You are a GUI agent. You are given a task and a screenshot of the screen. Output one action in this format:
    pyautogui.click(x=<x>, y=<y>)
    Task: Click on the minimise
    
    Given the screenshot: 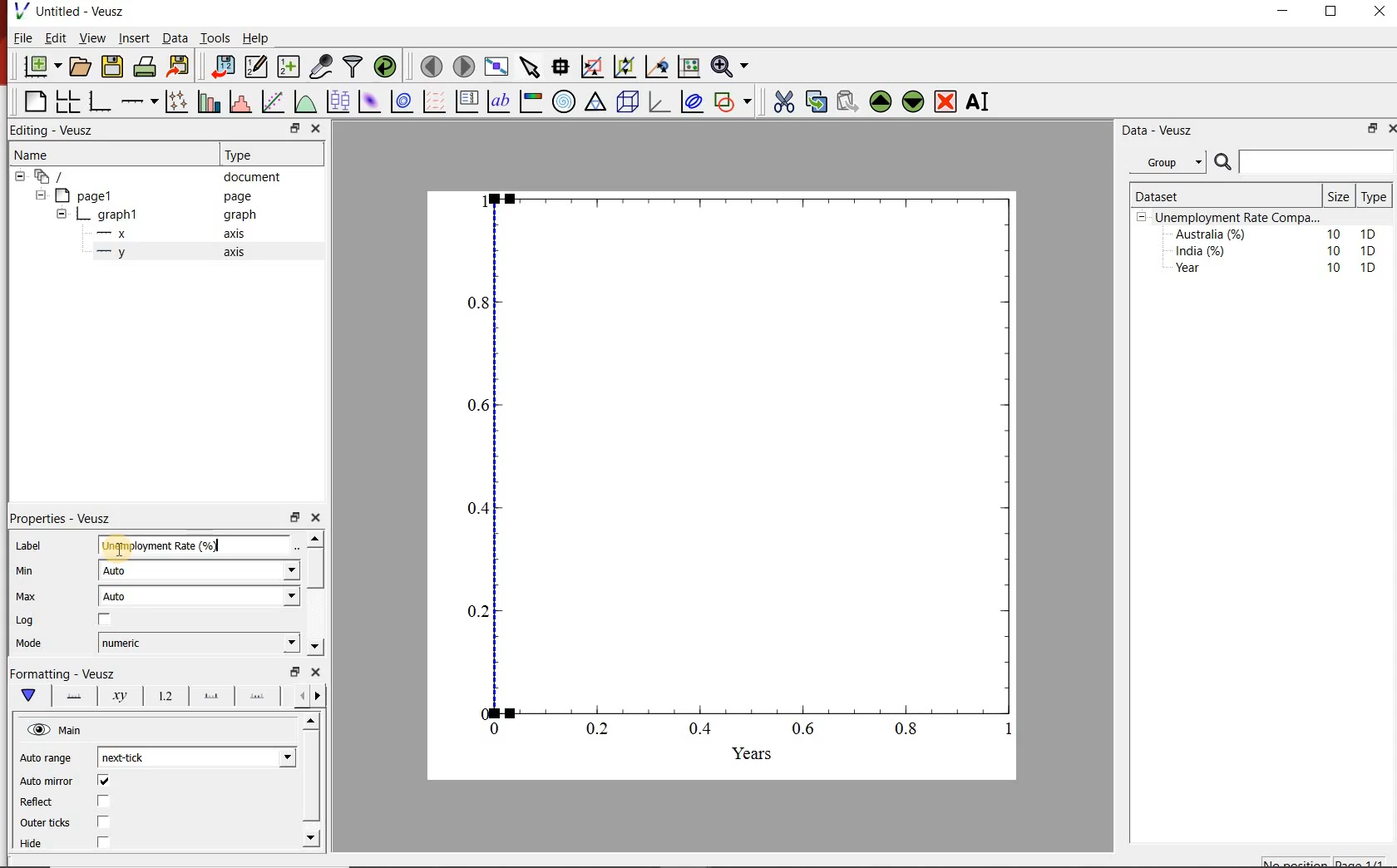 What is the action you would take?
    pyautogui.click(x=1287, y=15)
    